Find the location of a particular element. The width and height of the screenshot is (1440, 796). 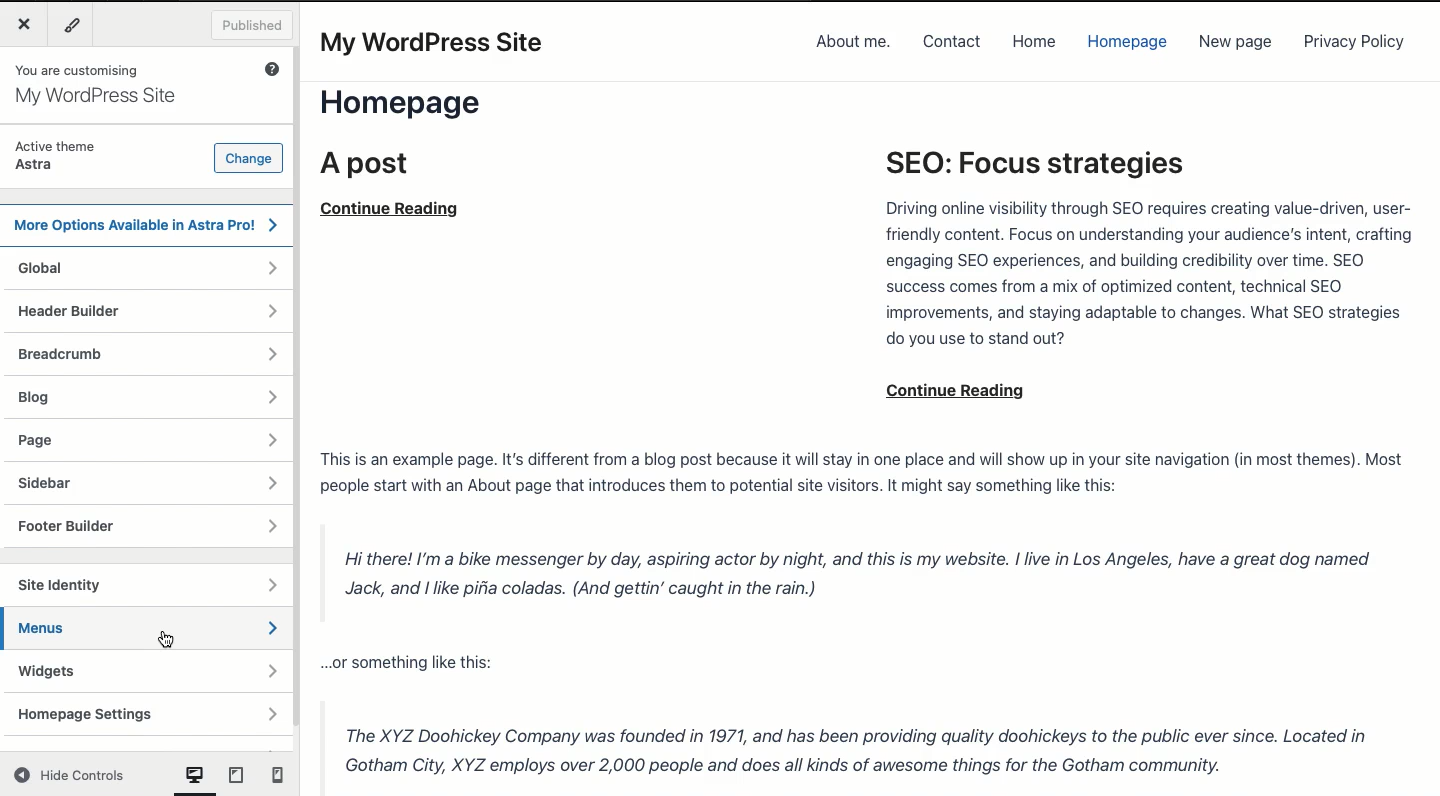

My WordPress Site is located at coordinates (436, 44).